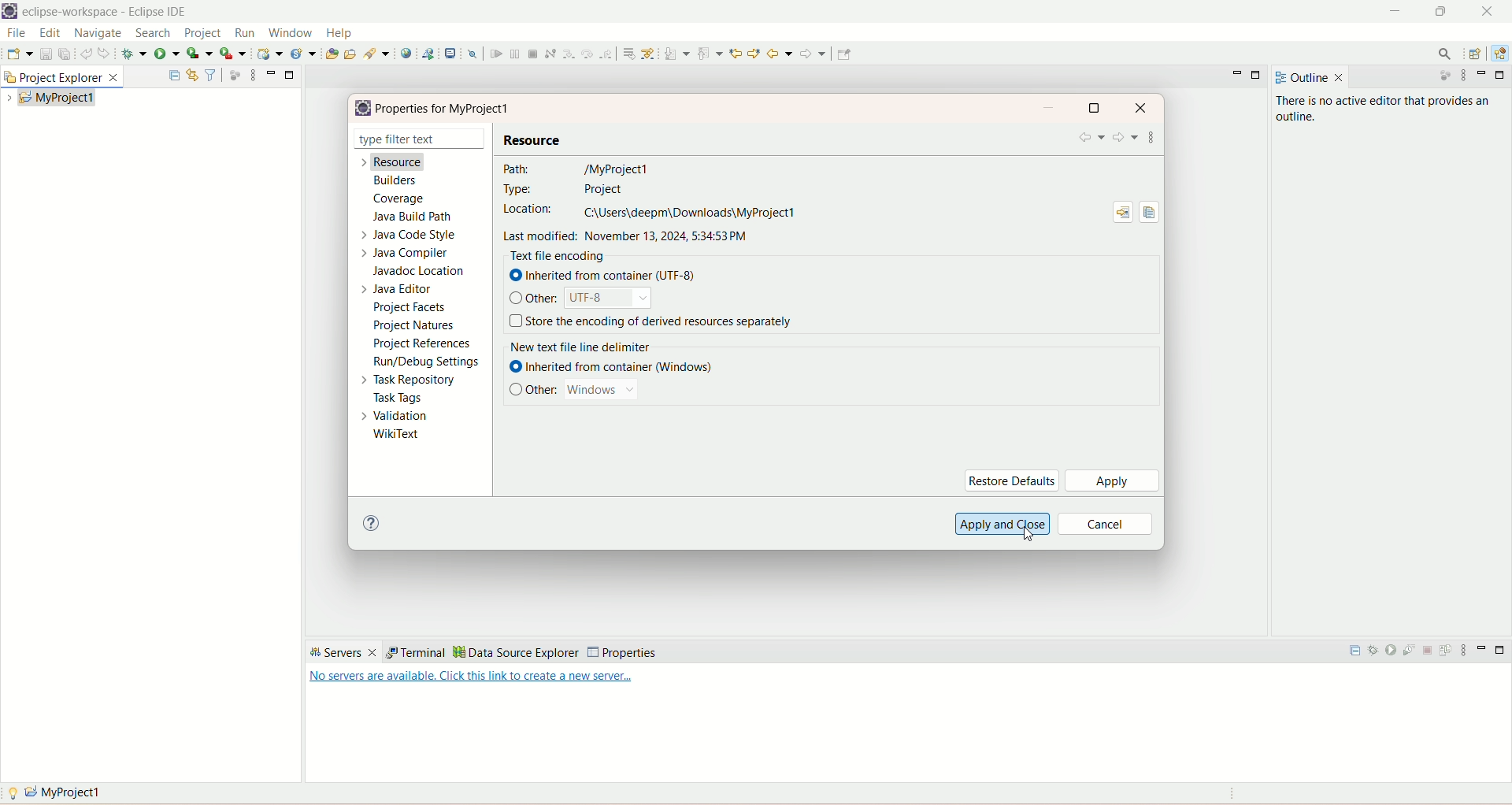 The image size is (1512, 805). What do you see at coordinates (513, 302) in the screenshot?
I see `check box` at bounding box center [513, 302].